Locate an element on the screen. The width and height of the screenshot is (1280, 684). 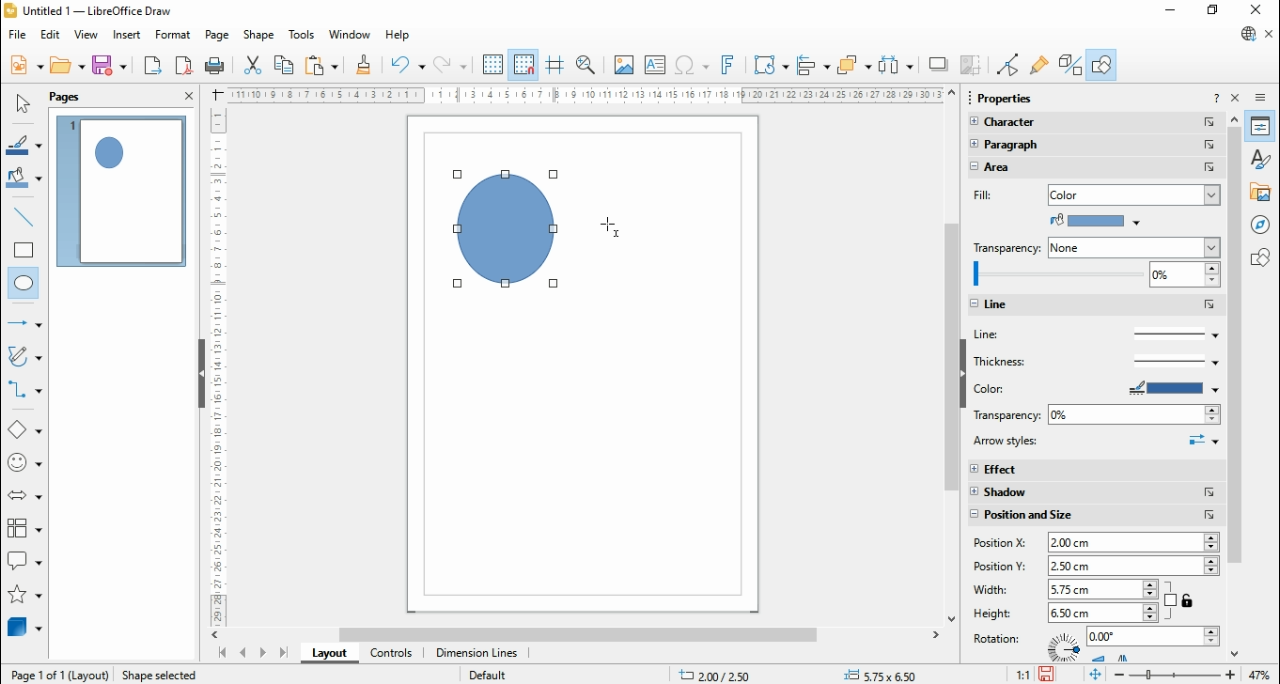
new is located at coordinates (26, 64).